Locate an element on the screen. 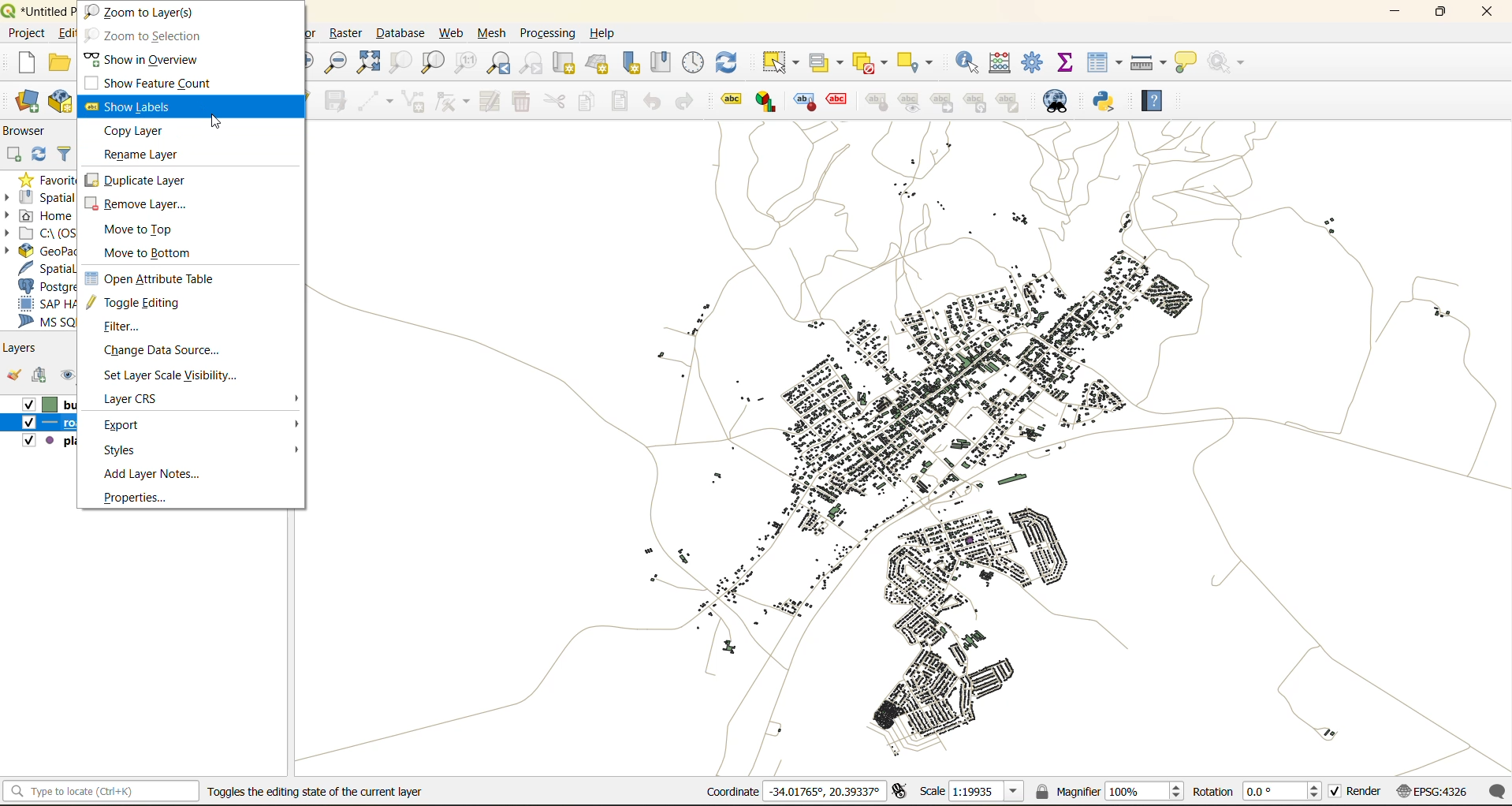 The image size is (1512, 806). show\hide labels and diagrams is located at coordinates (910, 102).